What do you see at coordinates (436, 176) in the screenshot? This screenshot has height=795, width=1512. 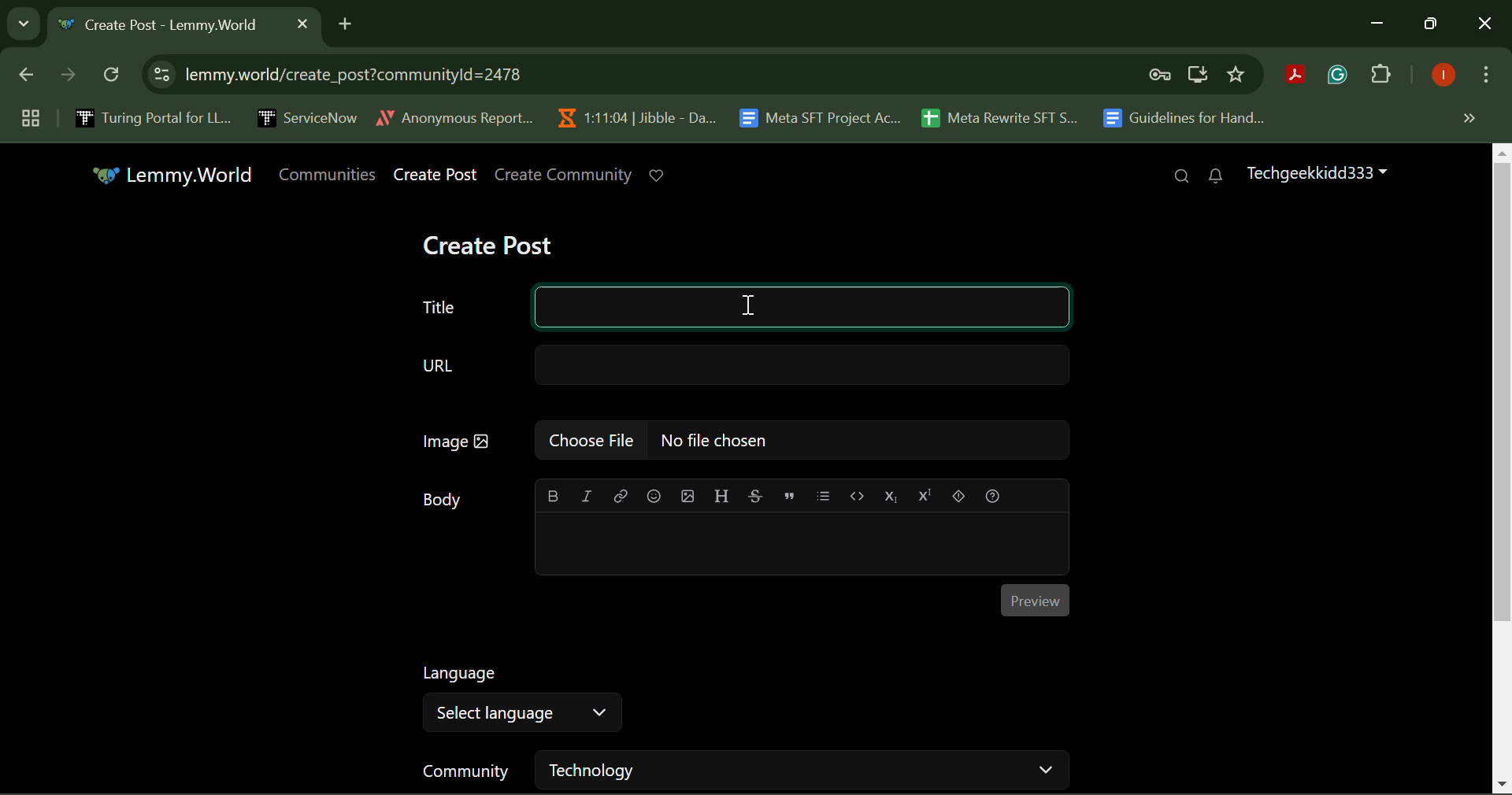 I see `Create Post` at bounding box center [436, 176].